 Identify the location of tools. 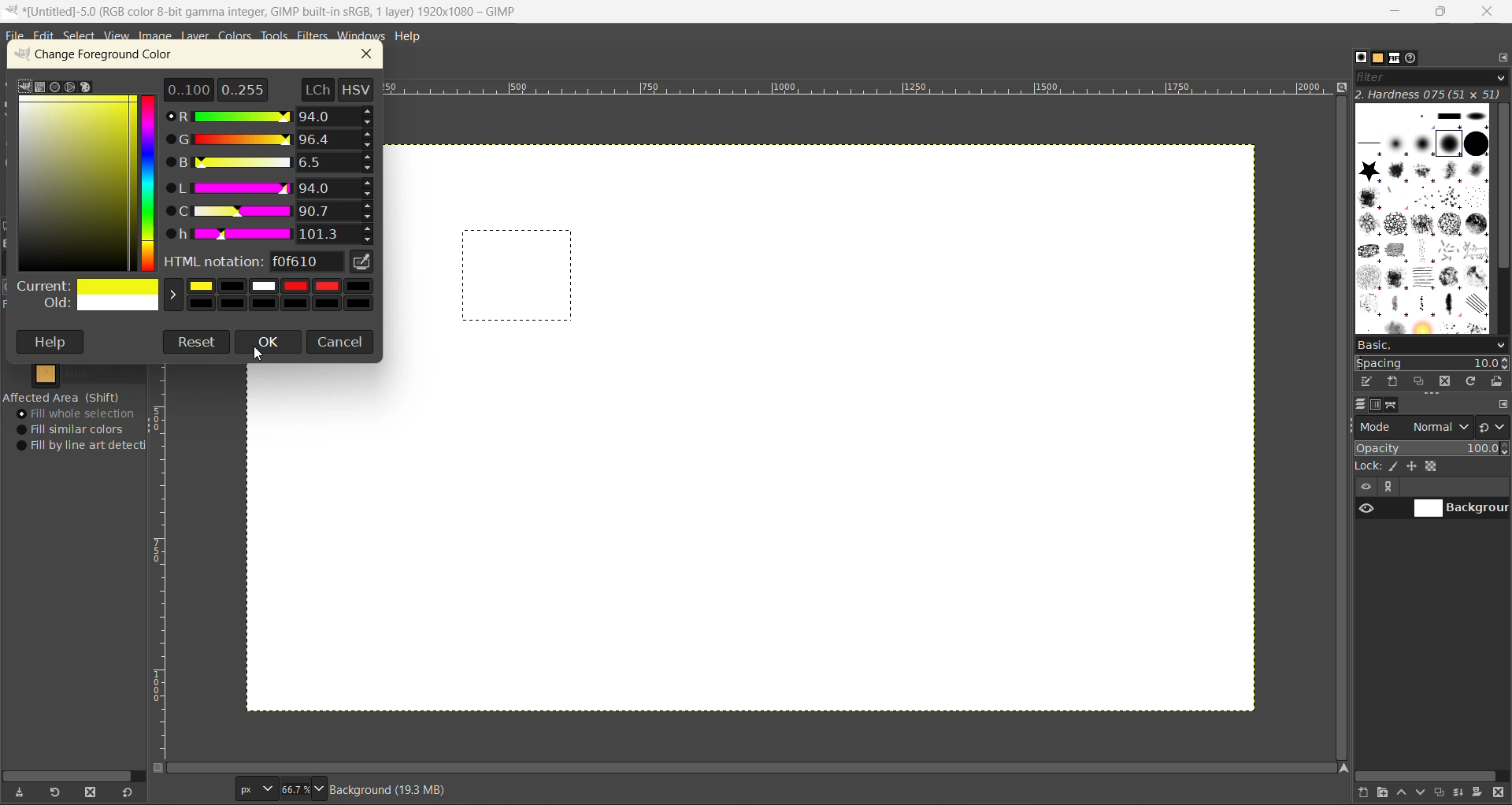
(276, 37).